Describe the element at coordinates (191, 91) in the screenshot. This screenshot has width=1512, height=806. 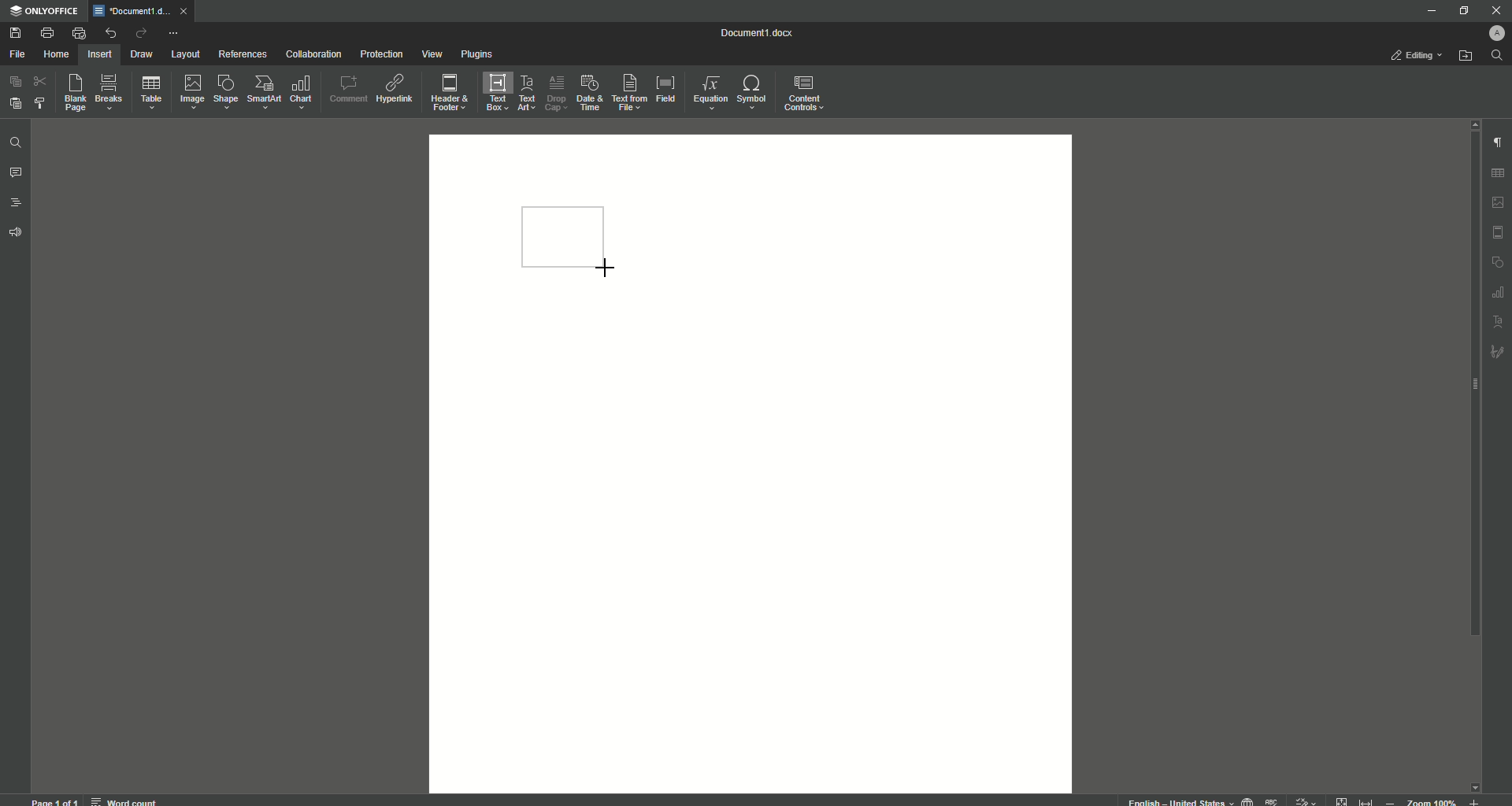
I see `Image` at that location.